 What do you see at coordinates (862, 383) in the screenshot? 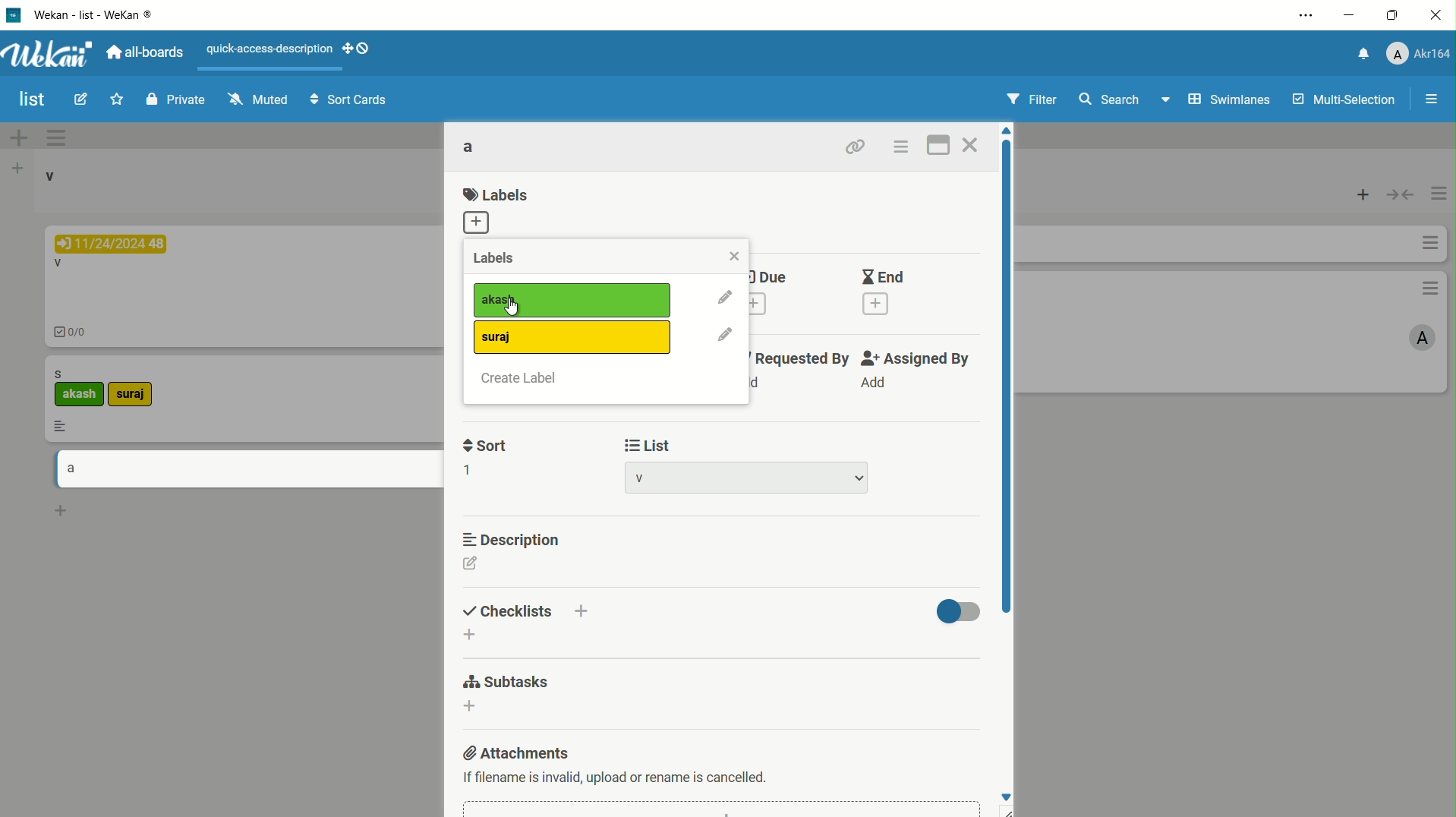
I see `Add` at bounding box center [862, 383].